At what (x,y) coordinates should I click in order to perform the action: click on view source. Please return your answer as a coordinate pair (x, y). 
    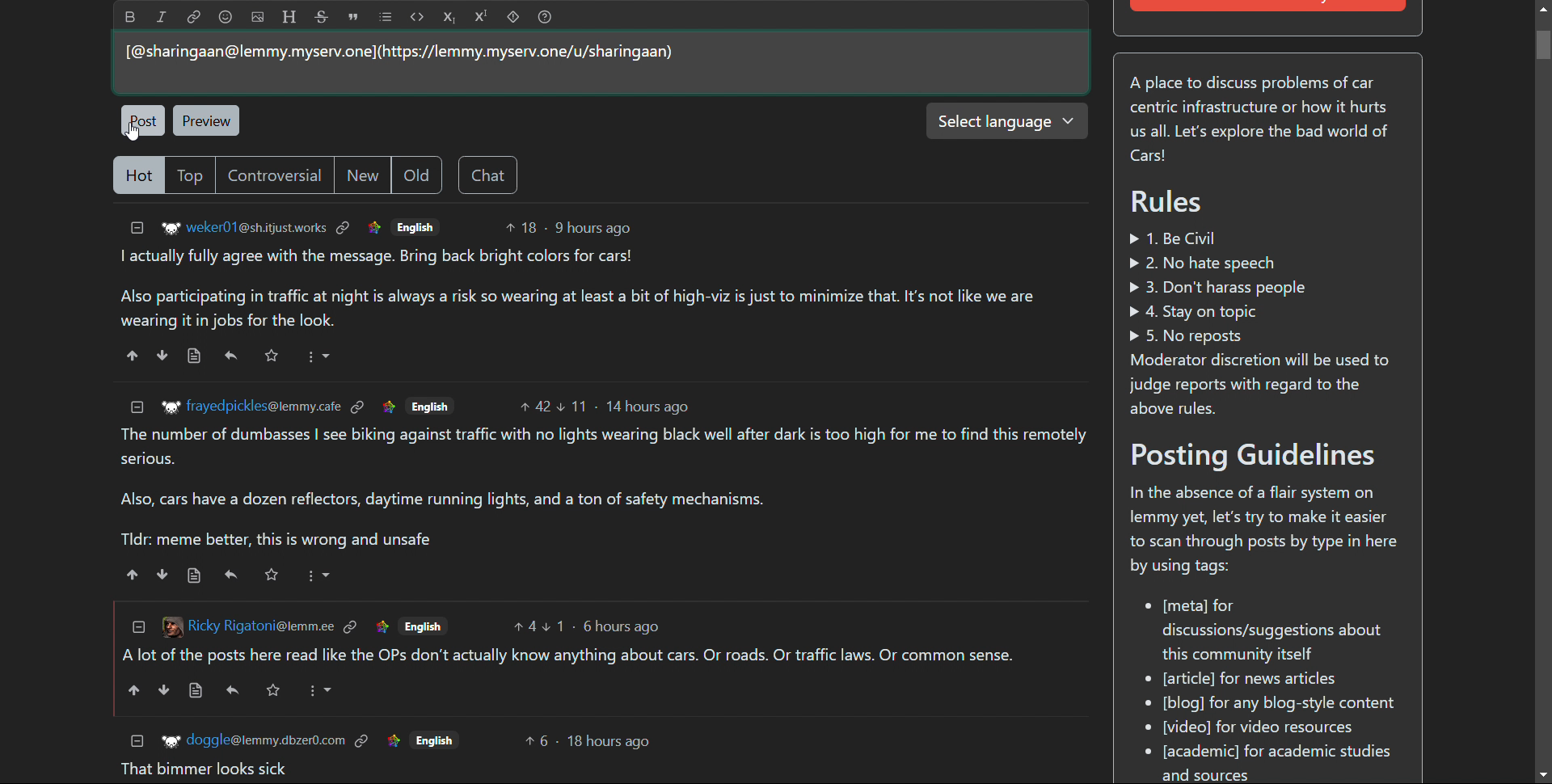
    Looking at the image, I should click on (196, 691).